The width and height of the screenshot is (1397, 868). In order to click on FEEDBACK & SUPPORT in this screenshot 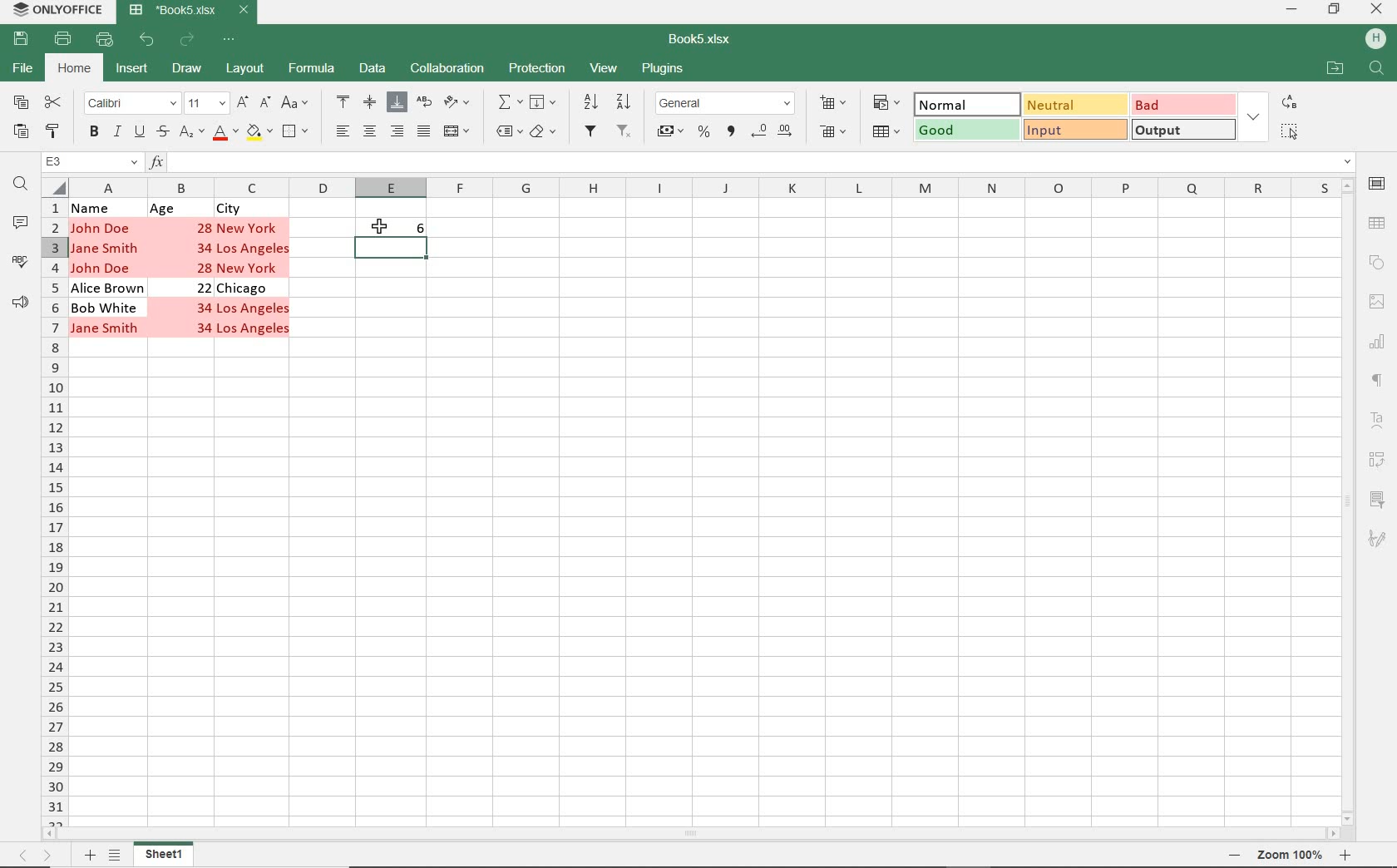, I will do `click(22, 298)`.